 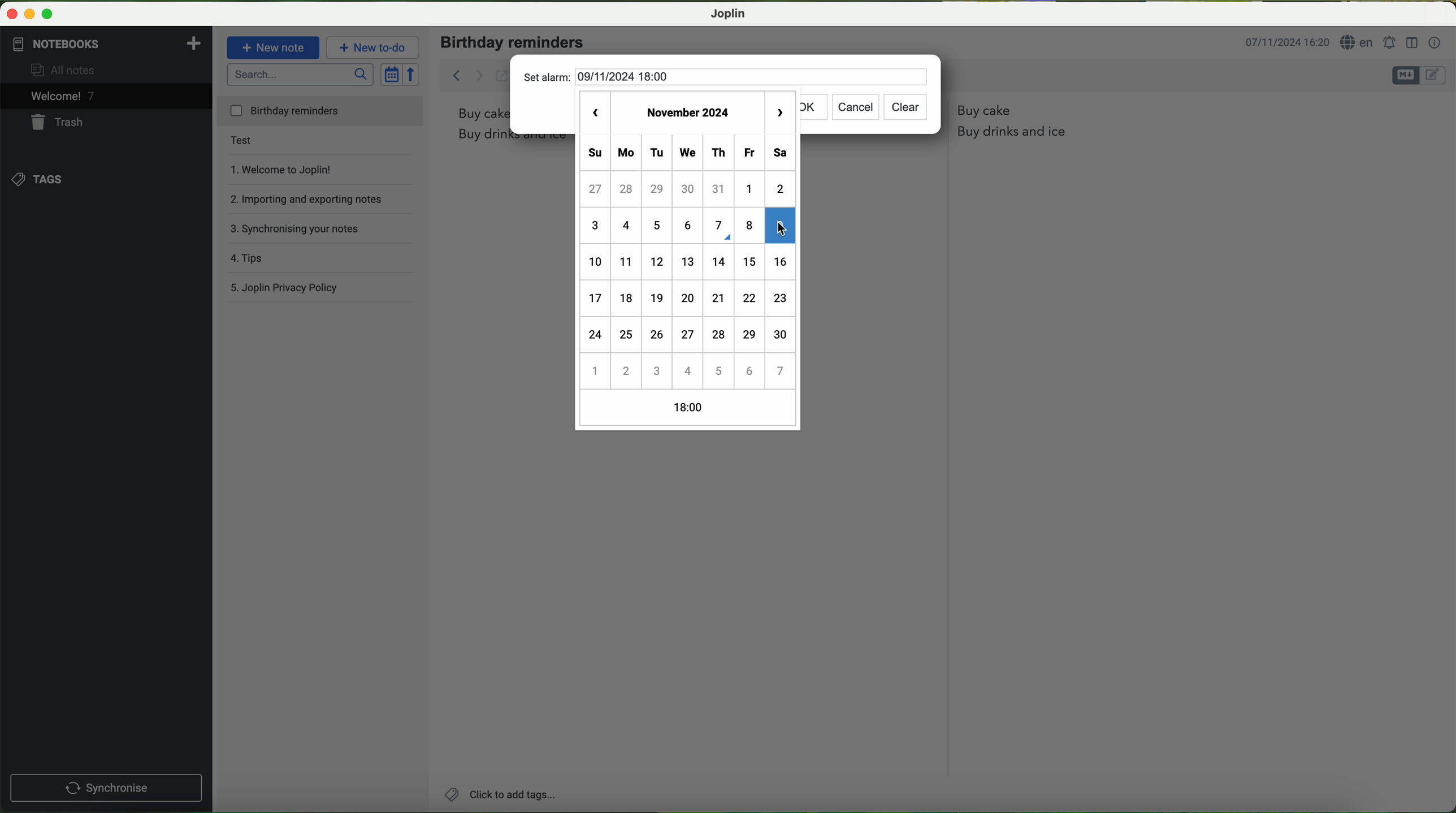 What do you see at coordinates (604, 77) in the screenshot?
I see `set alarm 09/11/2024 18:00` at bounding box center [604, 77].